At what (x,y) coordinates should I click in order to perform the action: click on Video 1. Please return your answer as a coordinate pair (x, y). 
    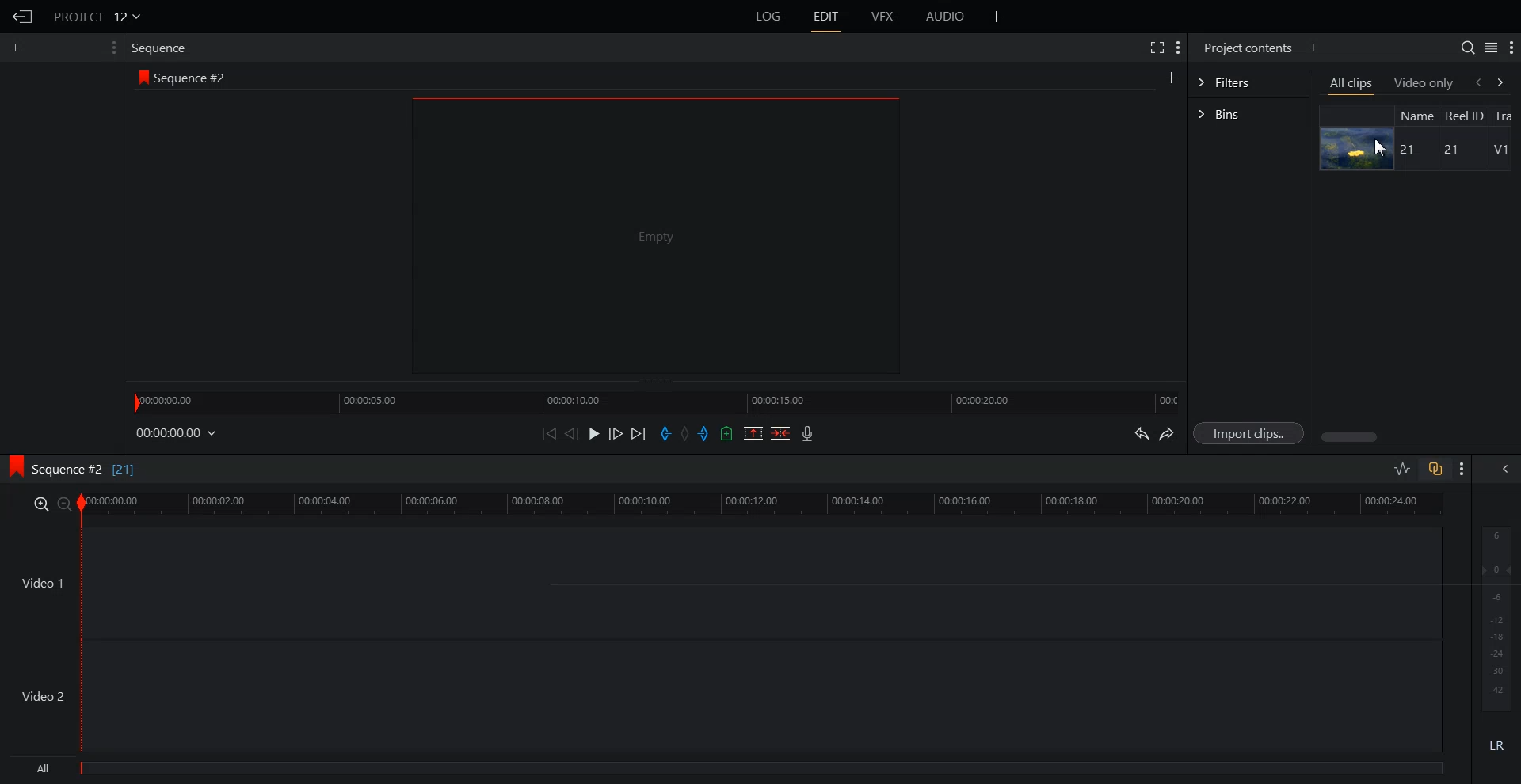
    Looking at the image, I should click on (722, 582).